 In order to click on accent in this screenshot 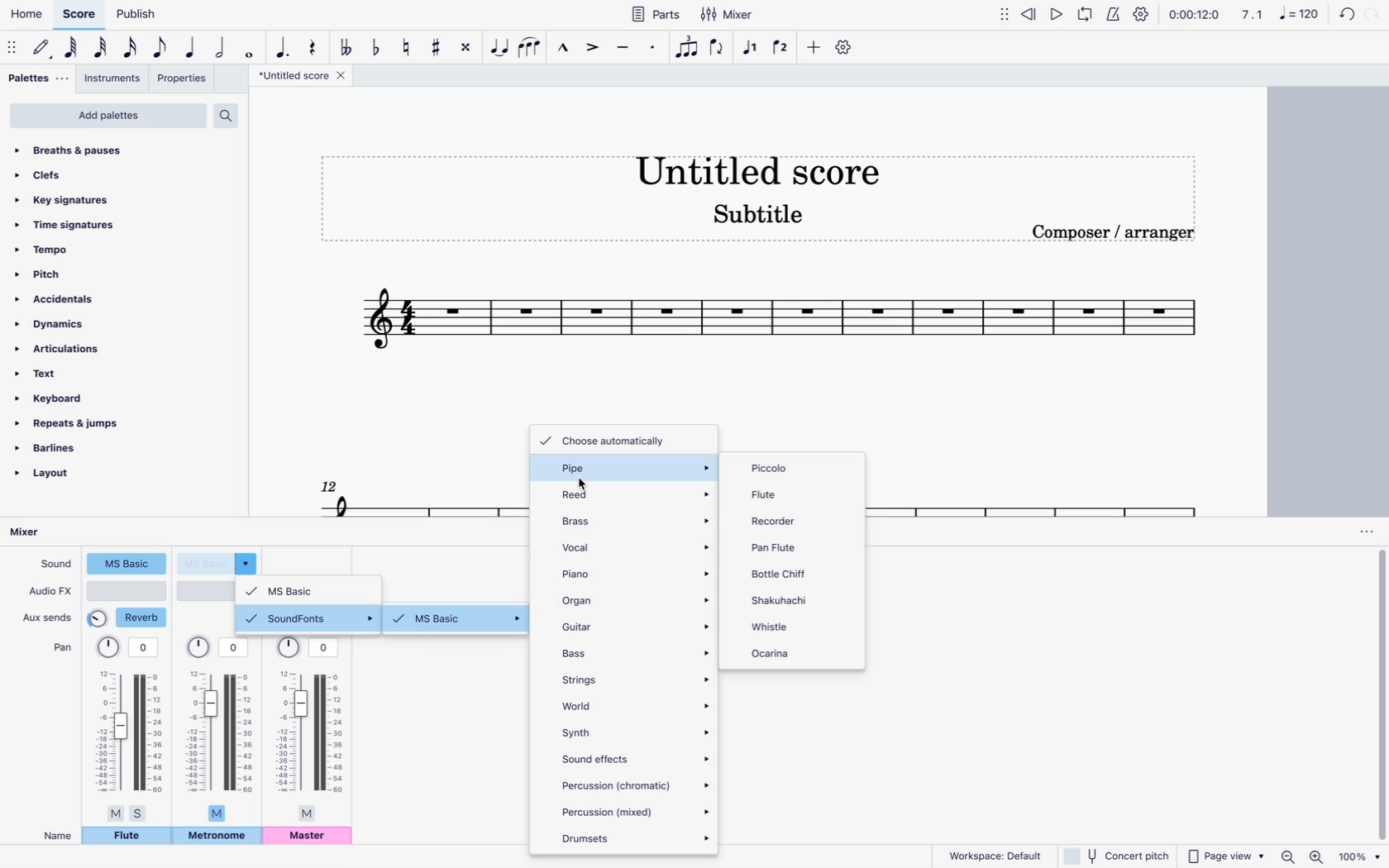, I will do `click(590, 51)`.